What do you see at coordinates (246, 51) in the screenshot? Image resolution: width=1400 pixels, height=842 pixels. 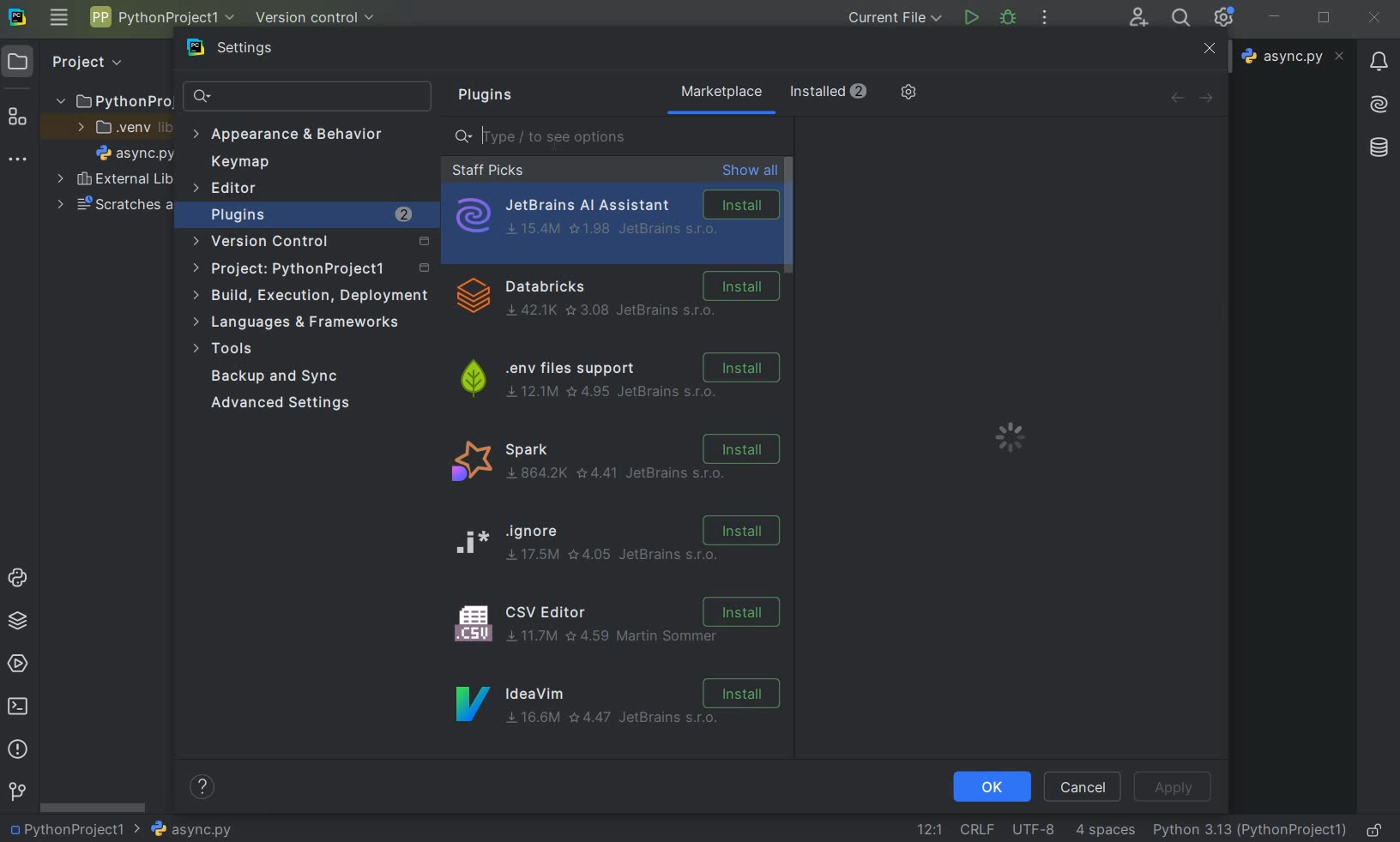 I see `settings` at bounding box center [246, 51].